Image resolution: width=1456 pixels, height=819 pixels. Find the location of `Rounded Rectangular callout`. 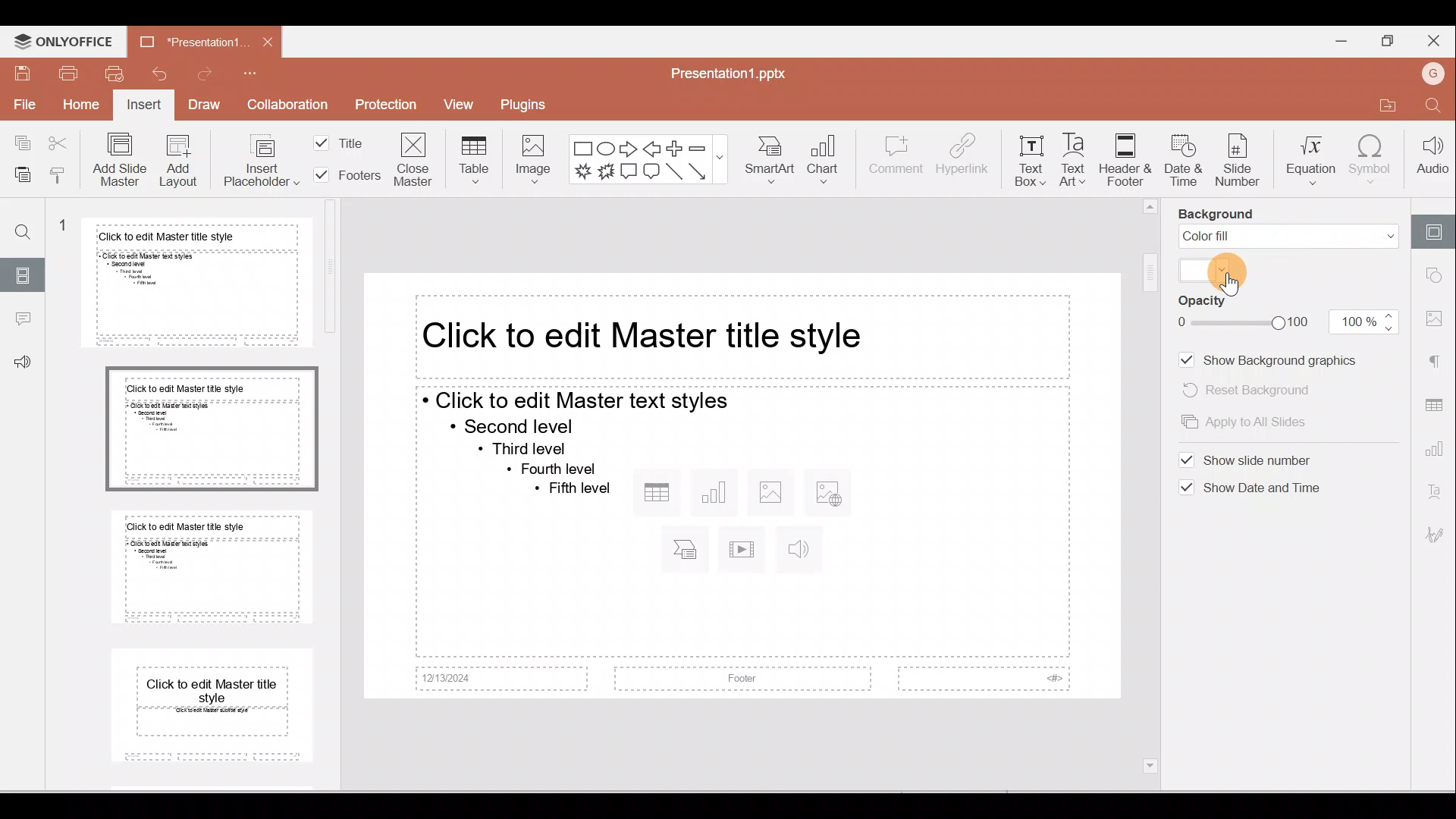

Rounded Rectangular callout is located at coordinates (651, 173).